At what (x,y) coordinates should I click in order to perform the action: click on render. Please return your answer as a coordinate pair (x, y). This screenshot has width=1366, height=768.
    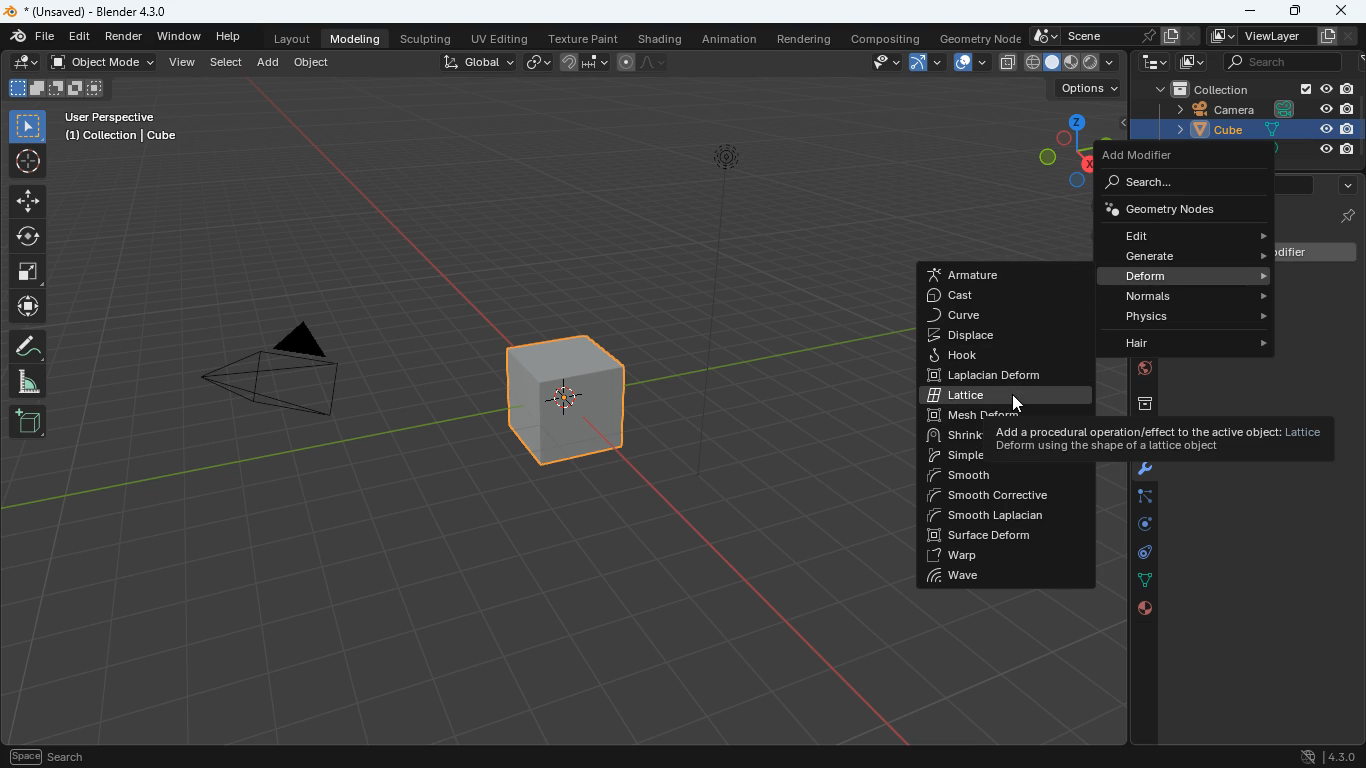
    Looking at the image, I should click on (124, 36).